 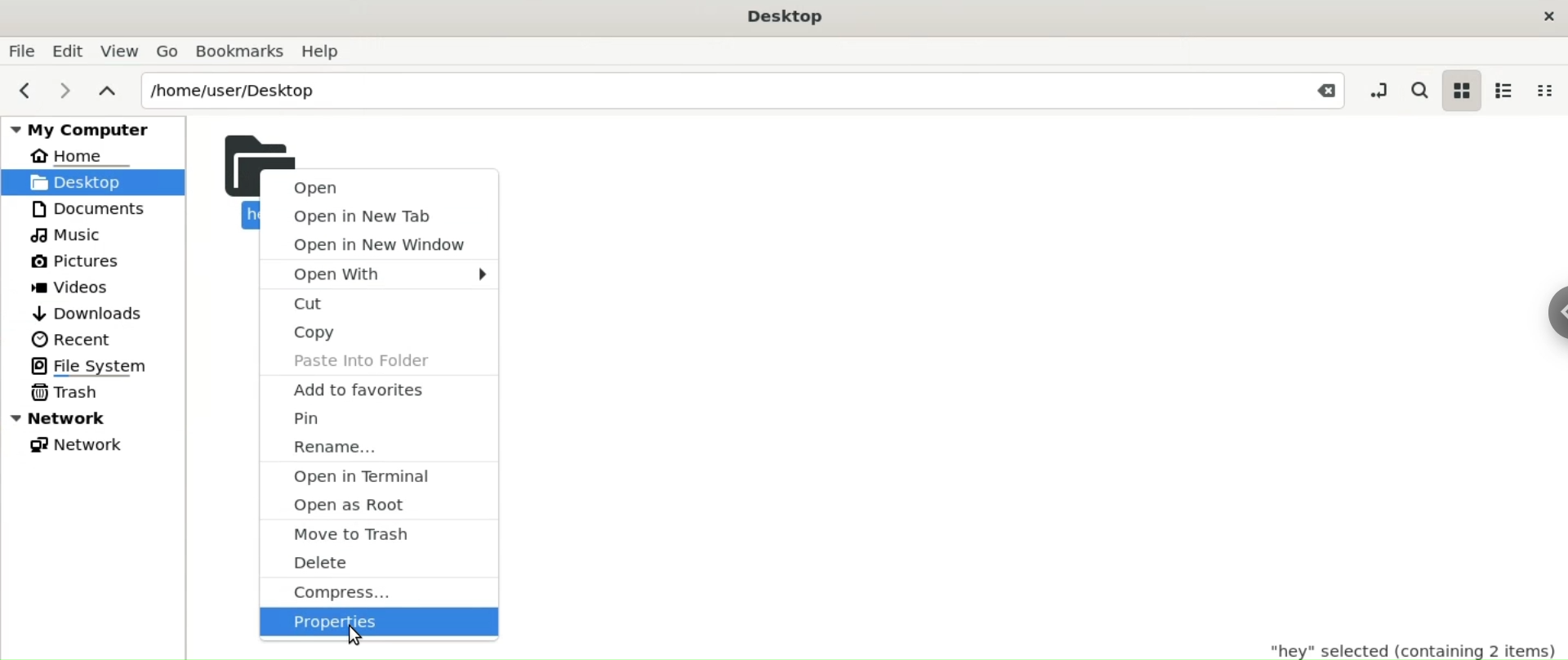 I want to click on properties, so click(x=382, y=624).